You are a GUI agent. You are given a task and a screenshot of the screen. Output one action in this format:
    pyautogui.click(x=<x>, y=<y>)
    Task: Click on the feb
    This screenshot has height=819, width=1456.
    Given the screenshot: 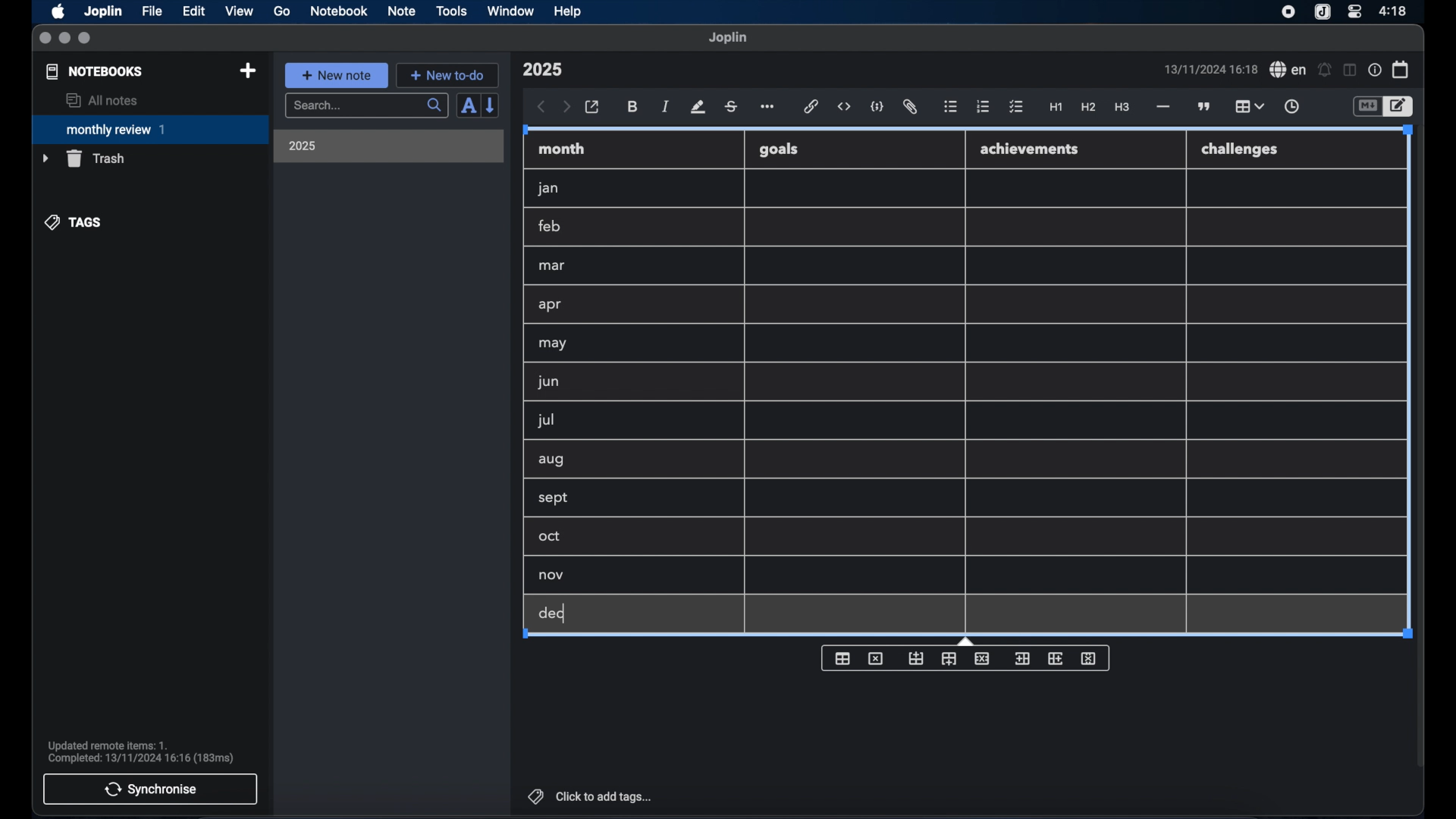 What is the action you would take?
    pyautogui.click(x=551, y=226)
    